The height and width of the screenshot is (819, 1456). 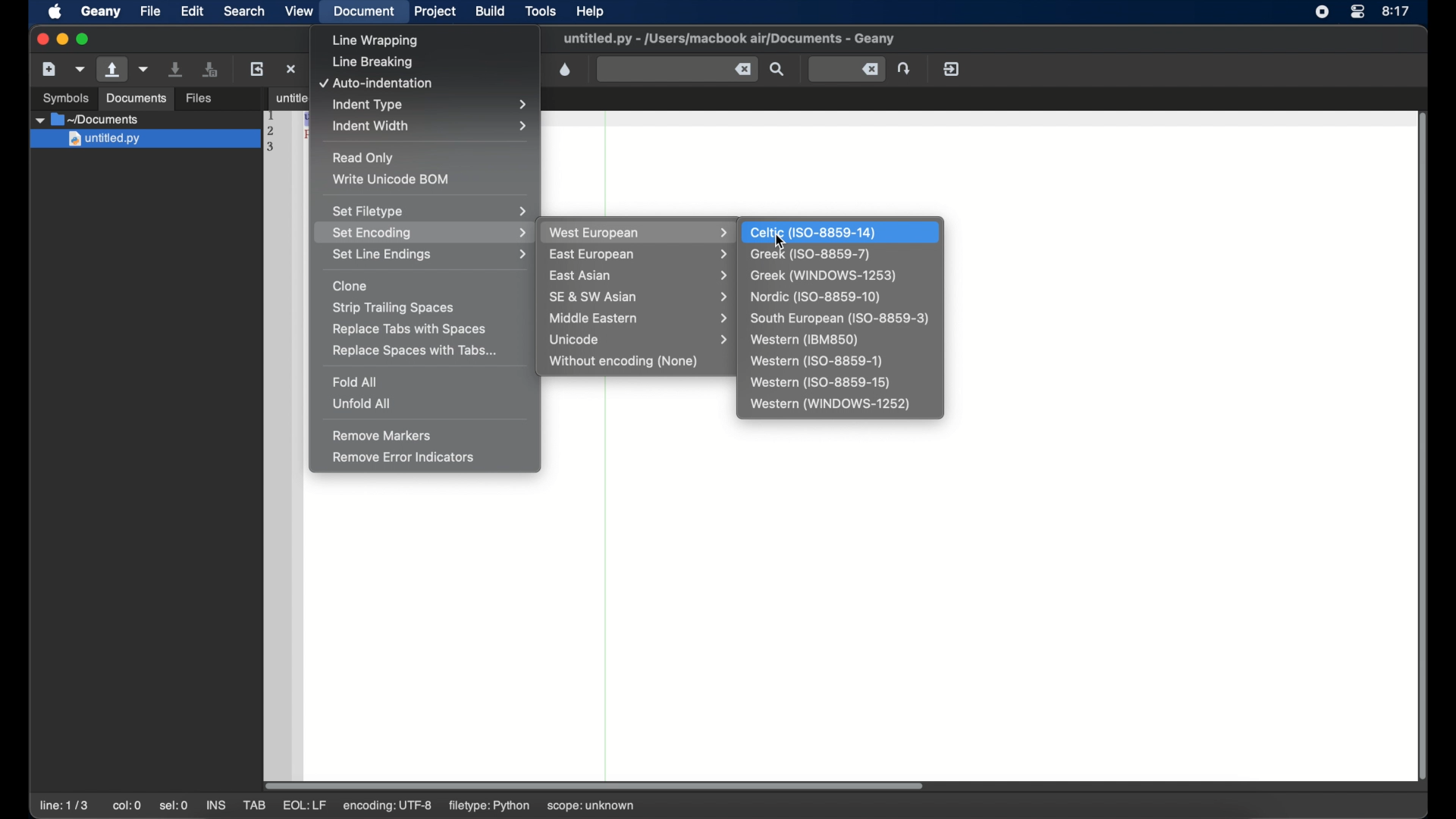 What do you see at coordinates (491, 806) in the screenshot?
I see `filetype: python` at bounding box center [491, 806].